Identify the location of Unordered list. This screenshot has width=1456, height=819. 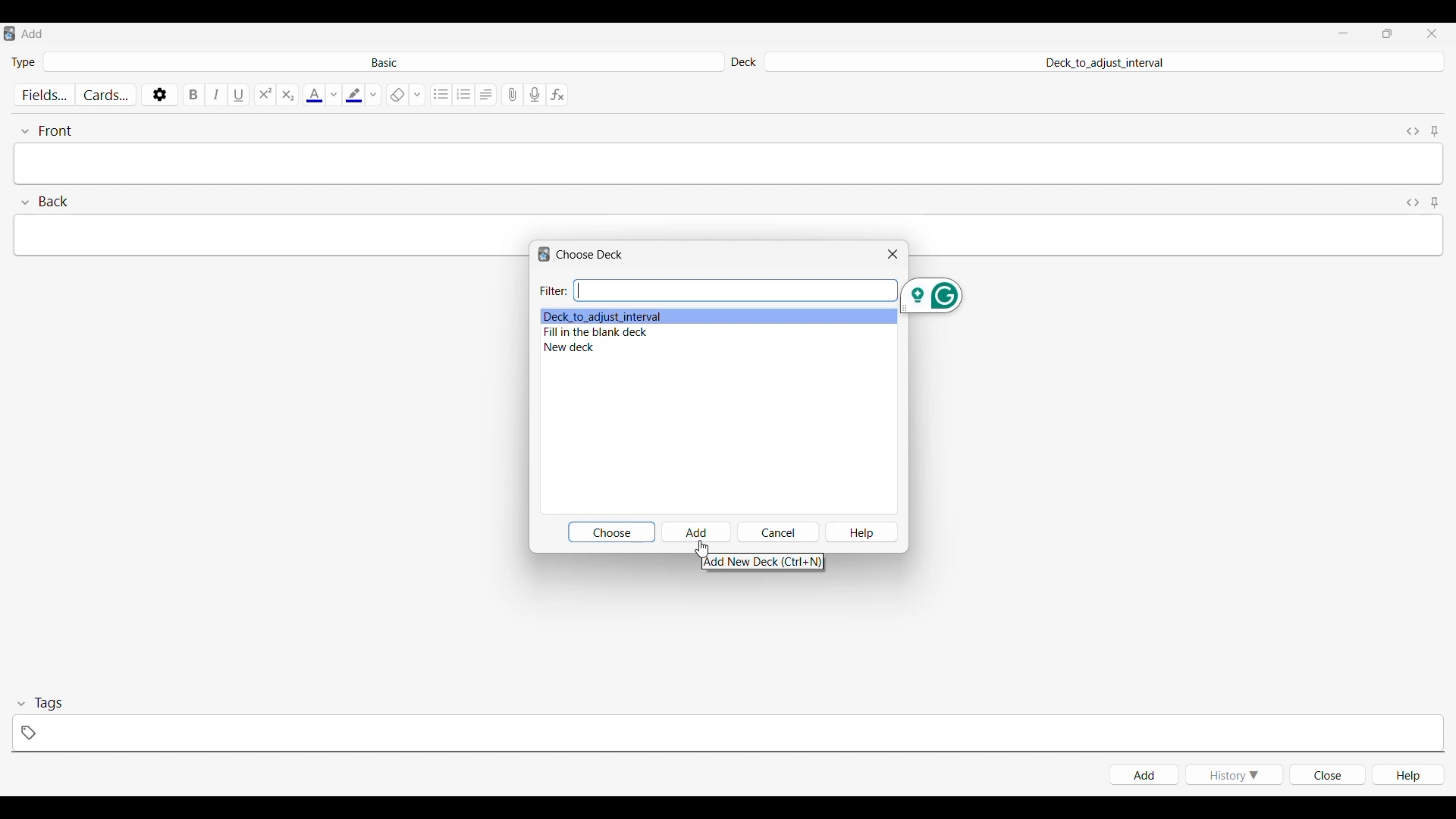
(442, 95).